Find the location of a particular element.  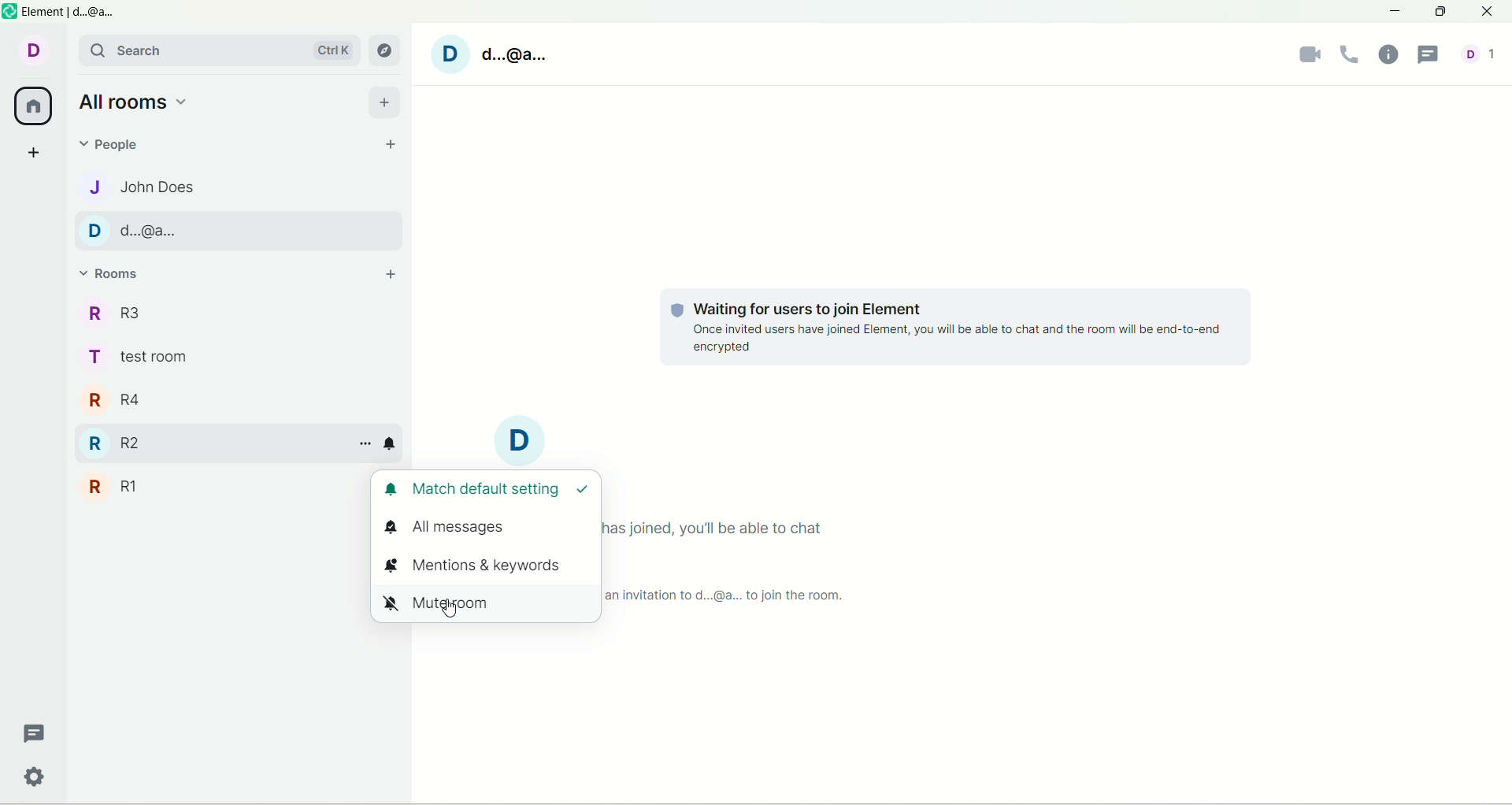

close is located at coordinates (1485, 12).